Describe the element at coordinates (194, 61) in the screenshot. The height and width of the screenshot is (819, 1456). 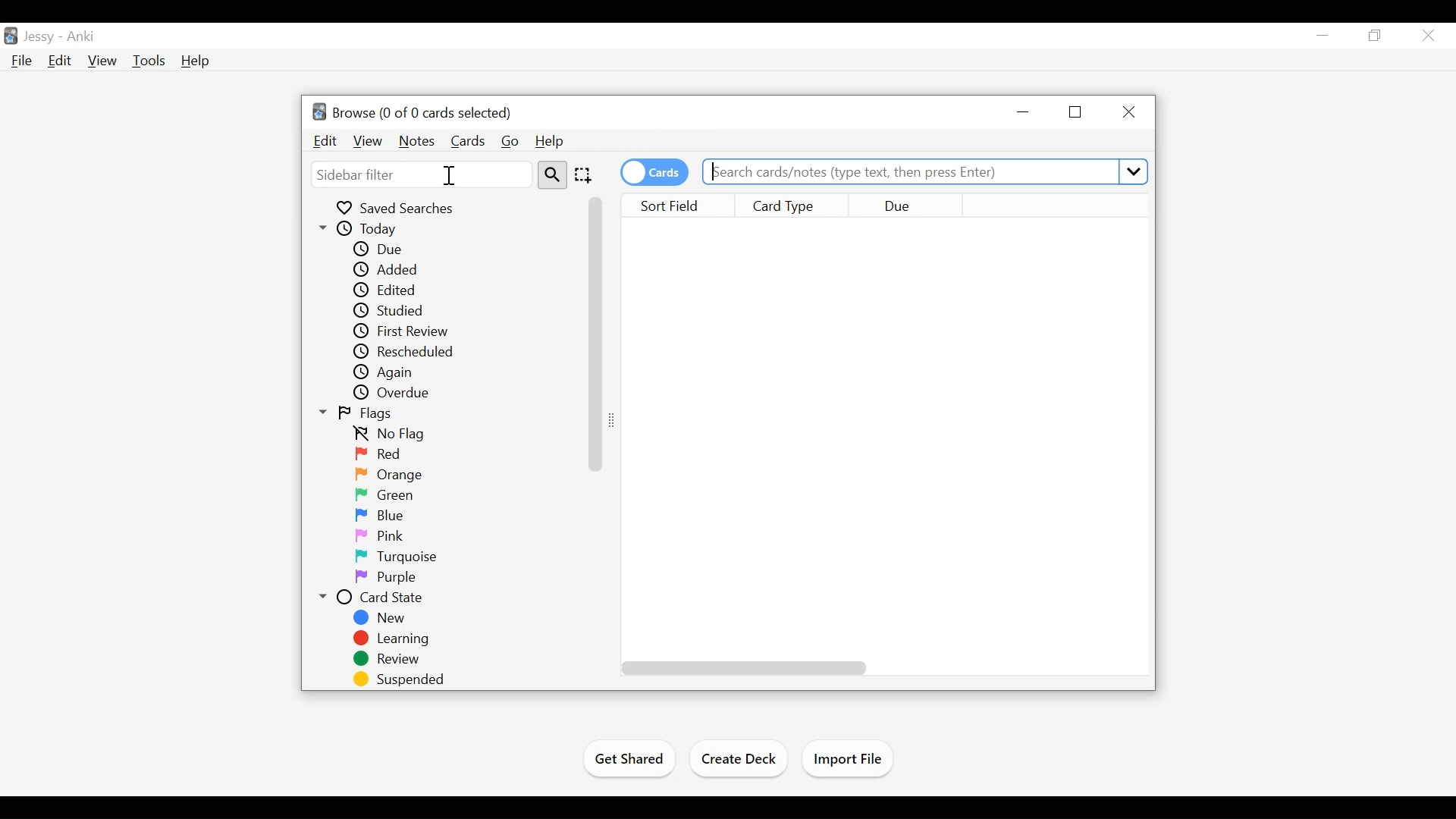
I see `Help` at that location.